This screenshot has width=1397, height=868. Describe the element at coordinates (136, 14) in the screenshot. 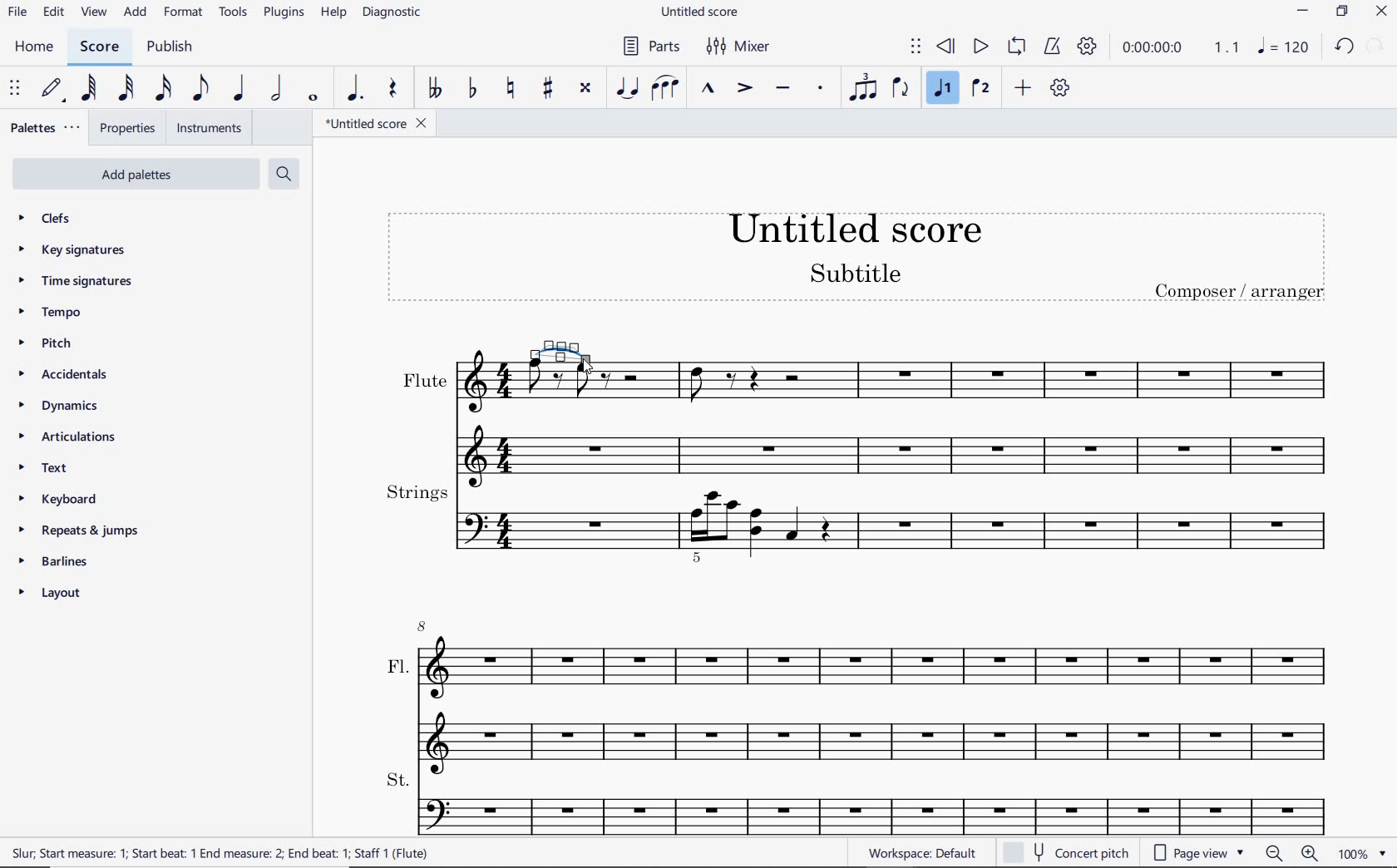

I see `add` at that location.